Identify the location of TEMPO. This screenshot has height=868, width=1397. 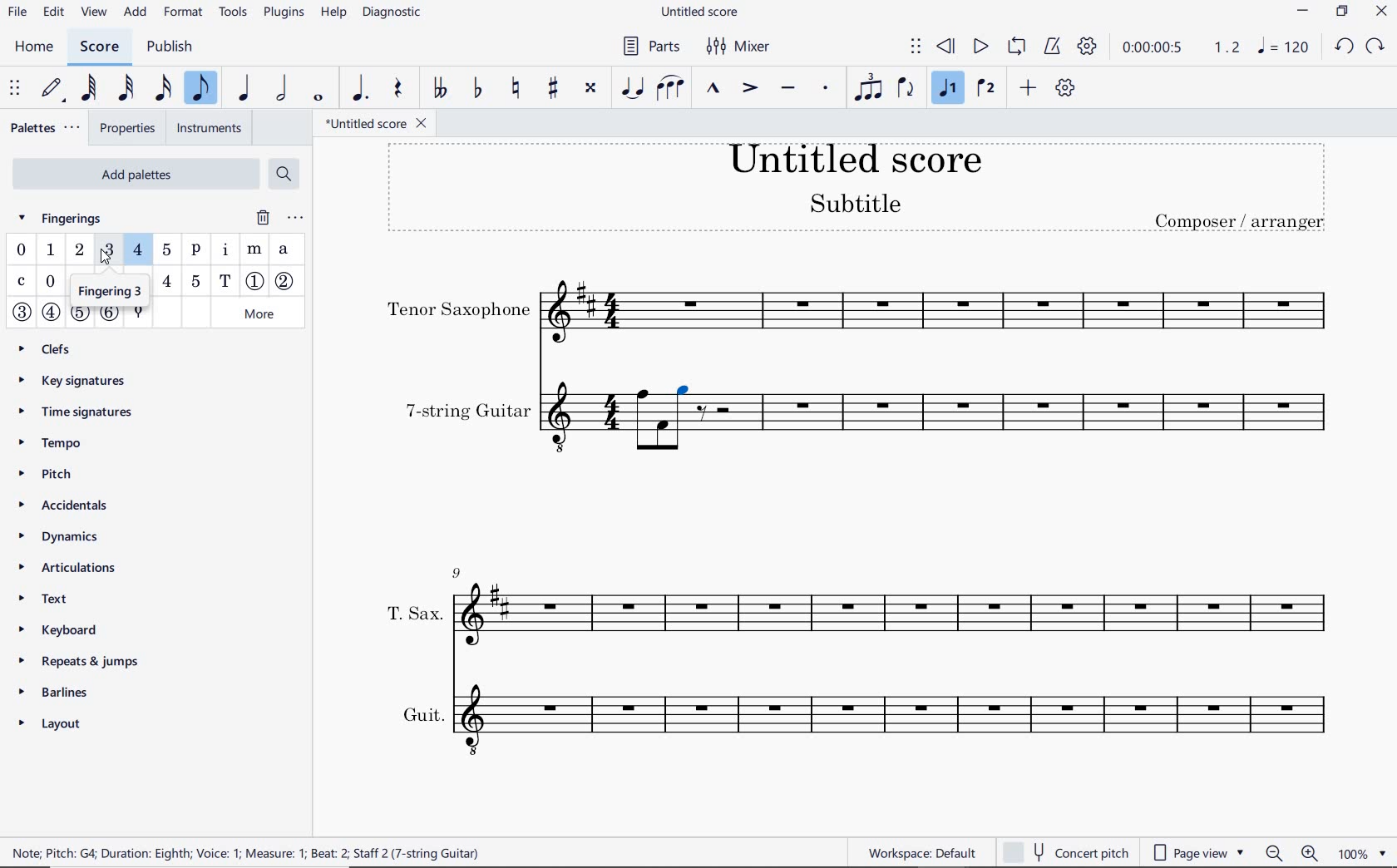
(56, 444).